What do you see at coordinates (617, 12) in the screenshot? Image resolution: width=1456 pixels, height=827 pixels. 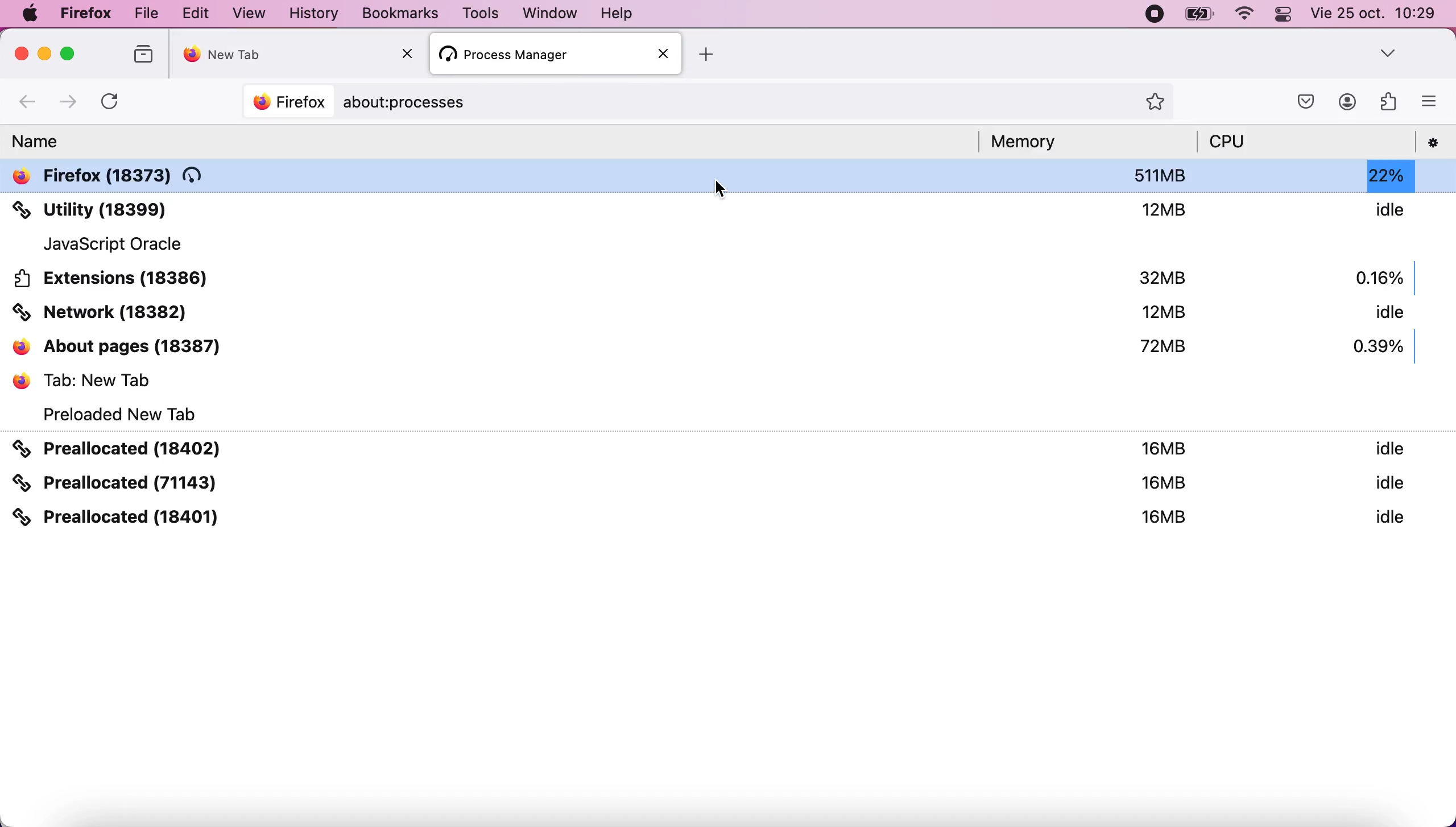 I see `Help` at bounding box center [617, 12].